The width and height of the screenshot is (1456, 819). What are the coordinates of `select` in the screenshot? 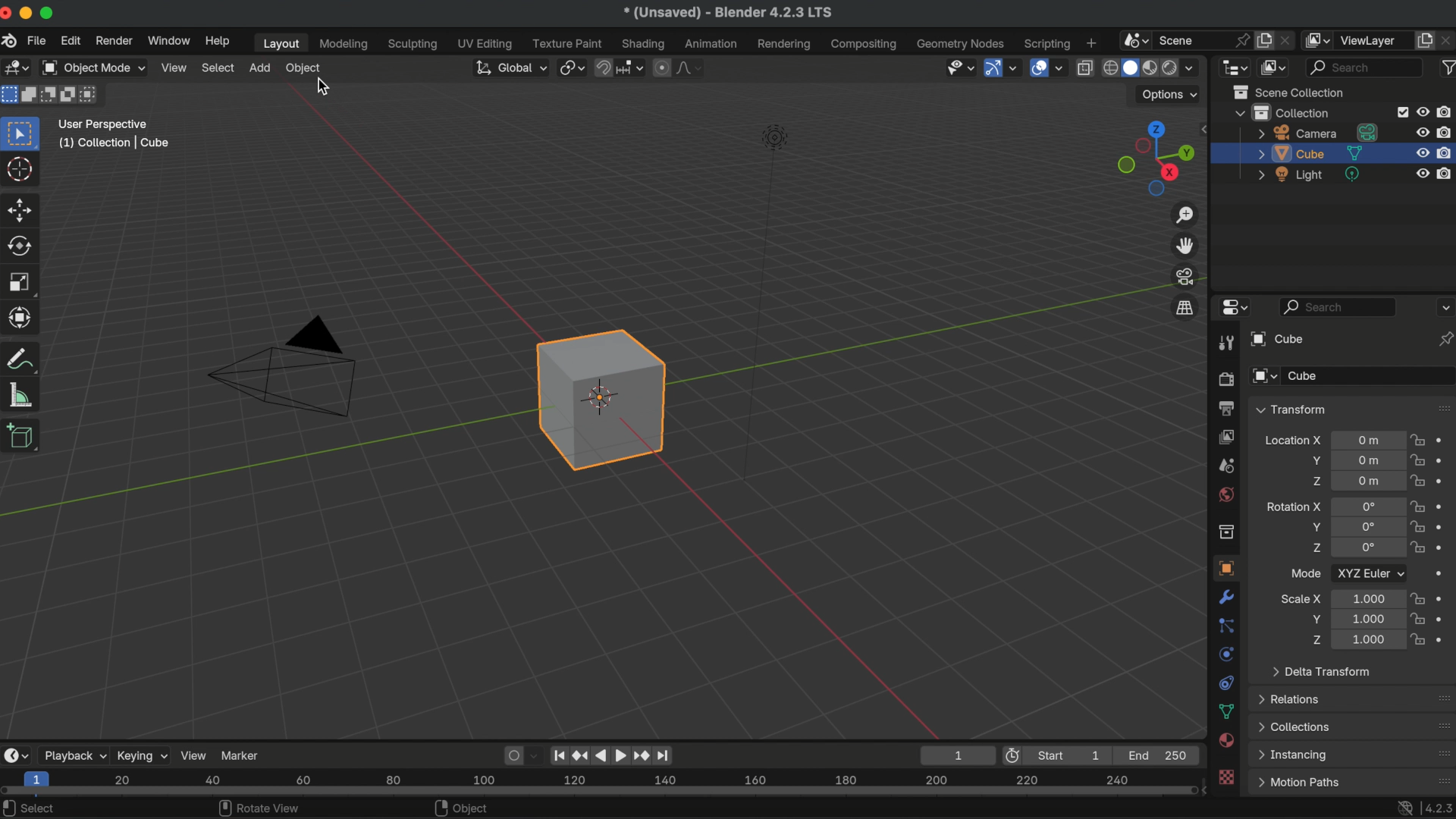 It's located at (218, 67).